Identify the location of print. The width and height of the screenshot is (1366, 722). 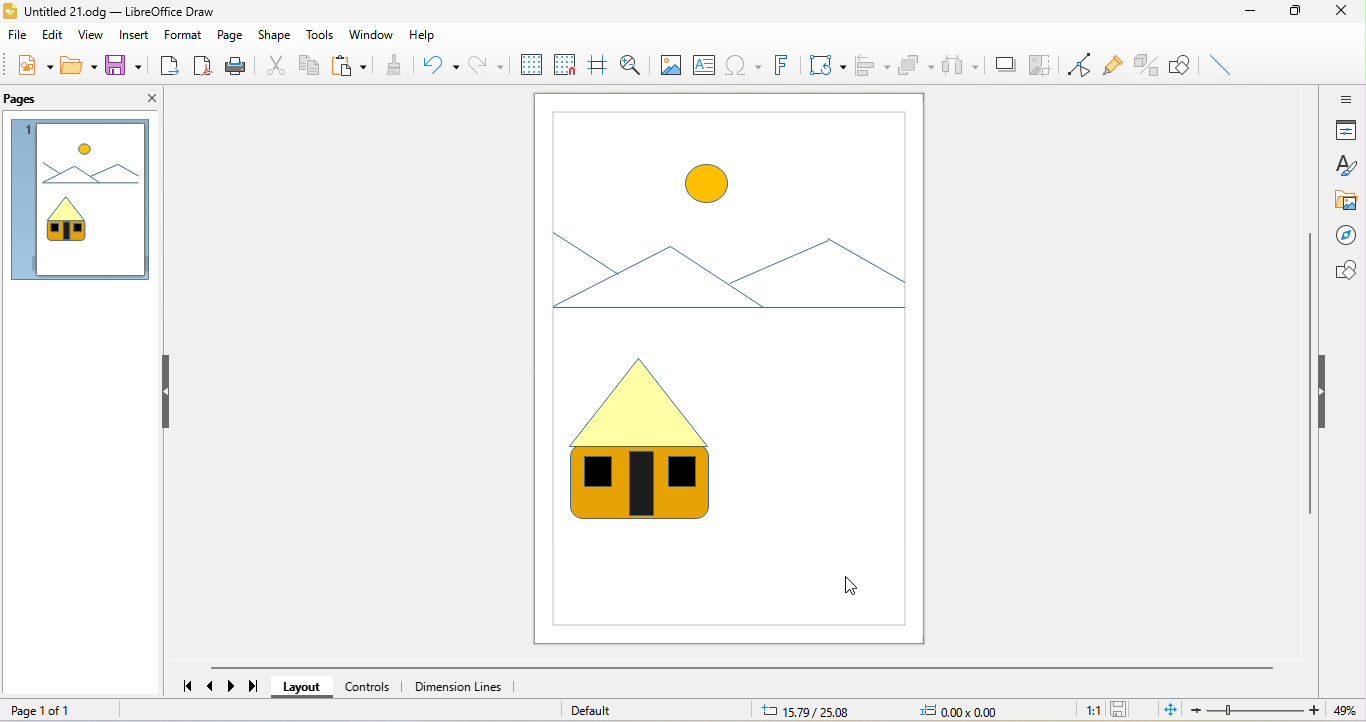
(237, 64).